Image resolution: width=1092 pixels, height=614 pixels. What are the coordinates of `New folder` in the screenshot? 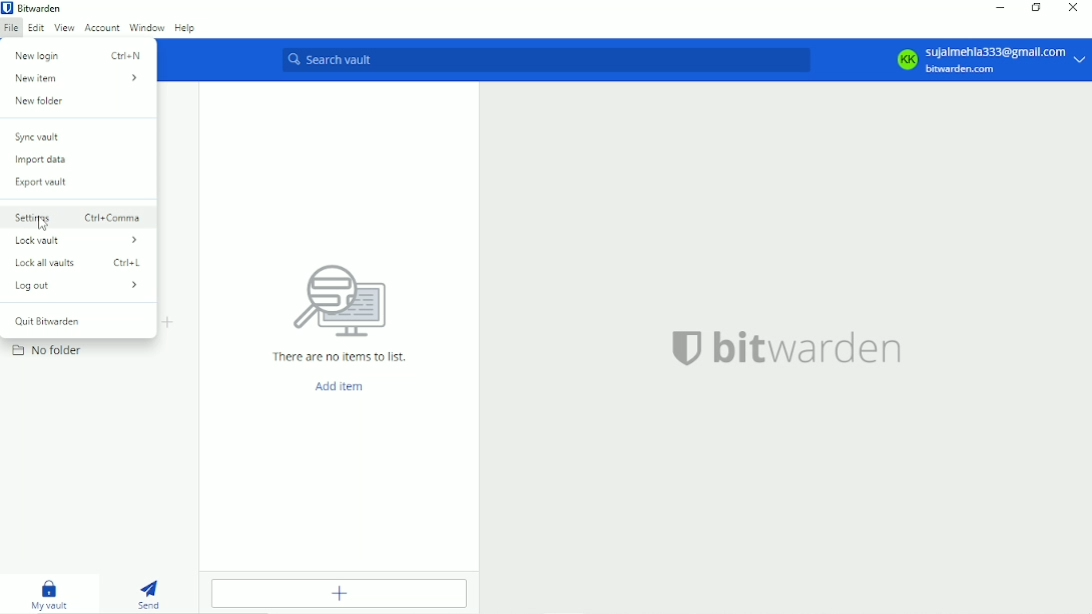 It's located at (40, 103).